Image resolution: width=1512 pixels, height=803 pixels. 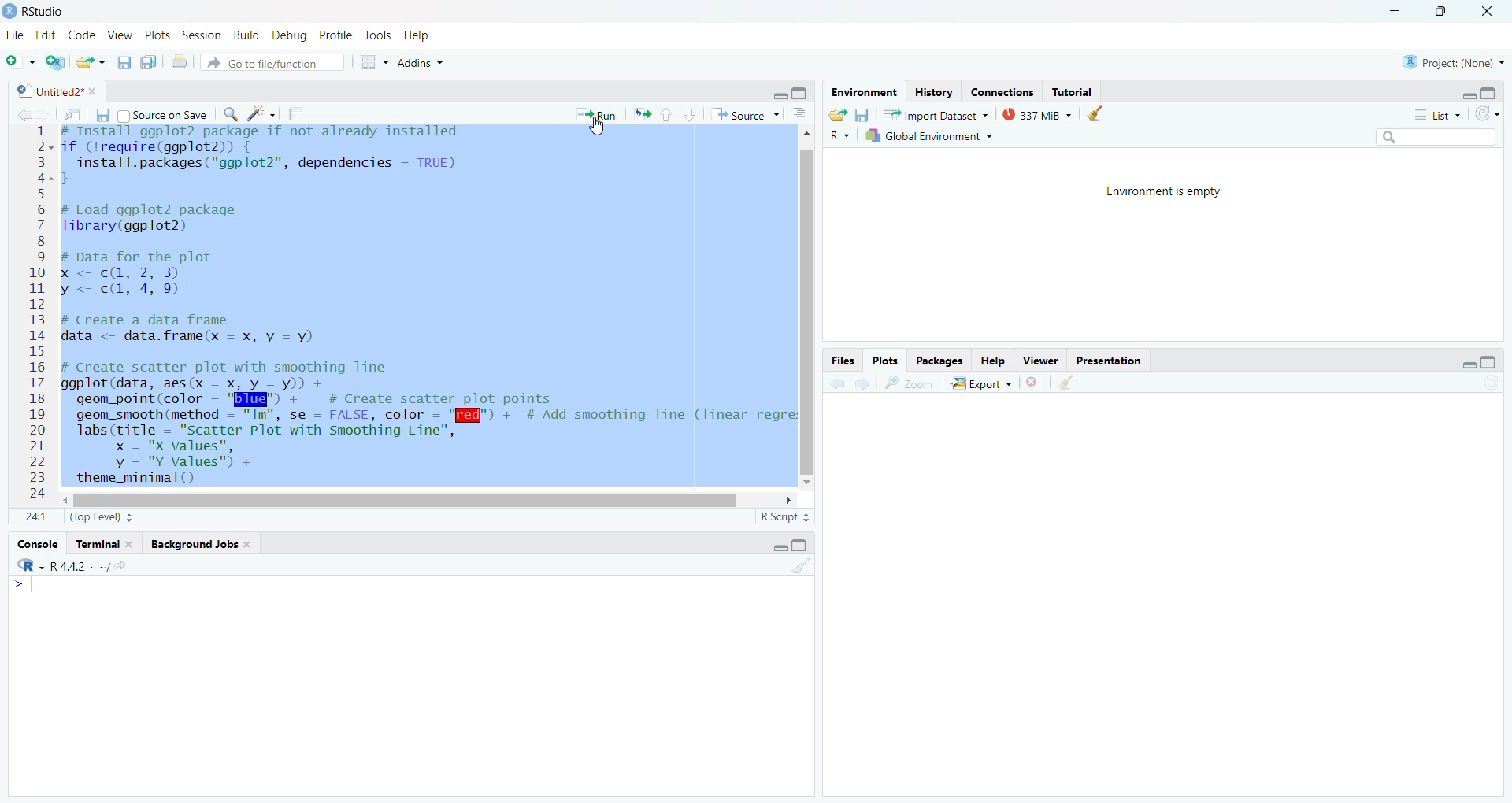 What do you see at coordinates (199, 545) in the screenshot?
I see `background Jobs` at bounding box center [199, 545].